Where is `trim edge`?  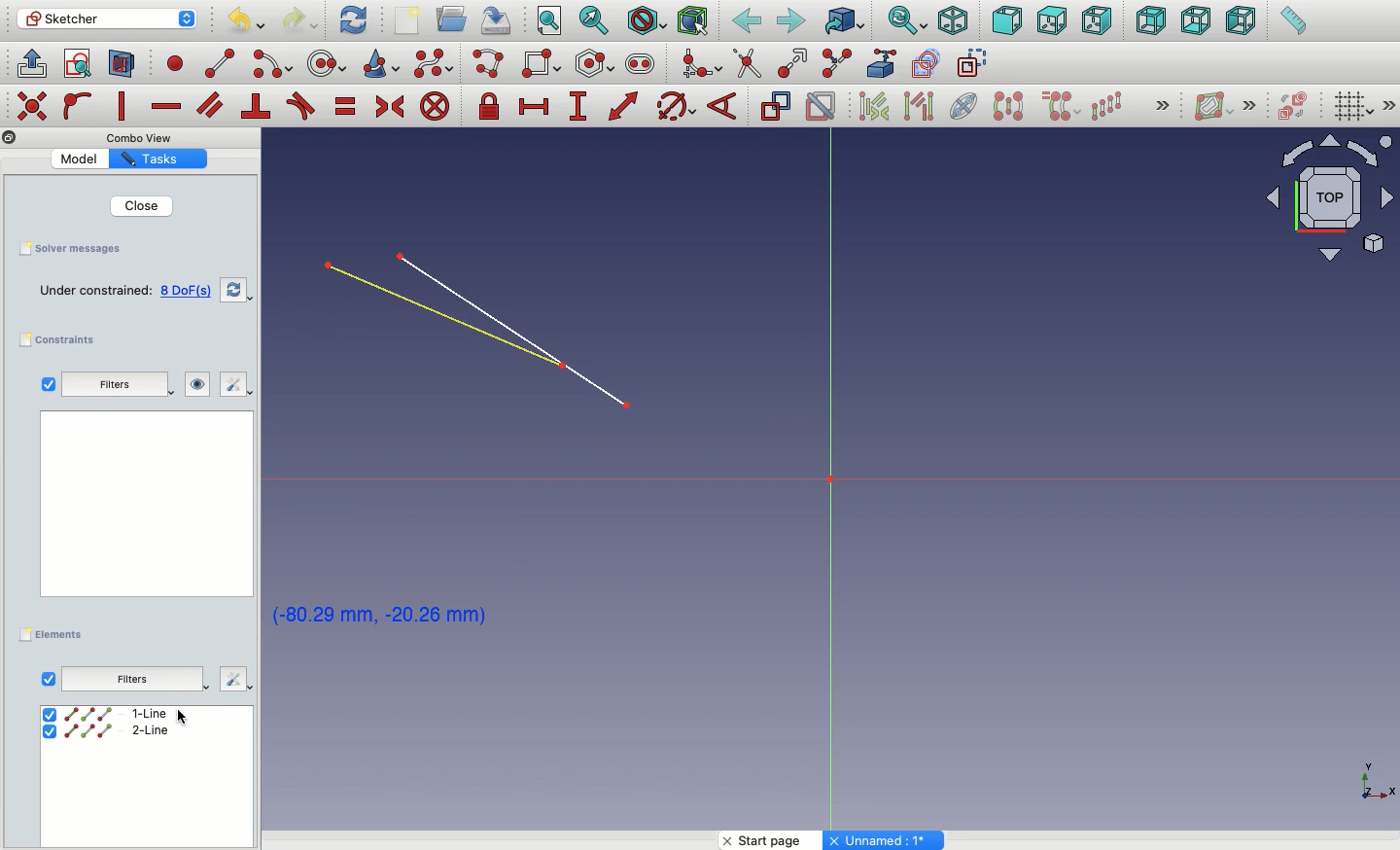 trim edge is located at coordinates (747, 64).